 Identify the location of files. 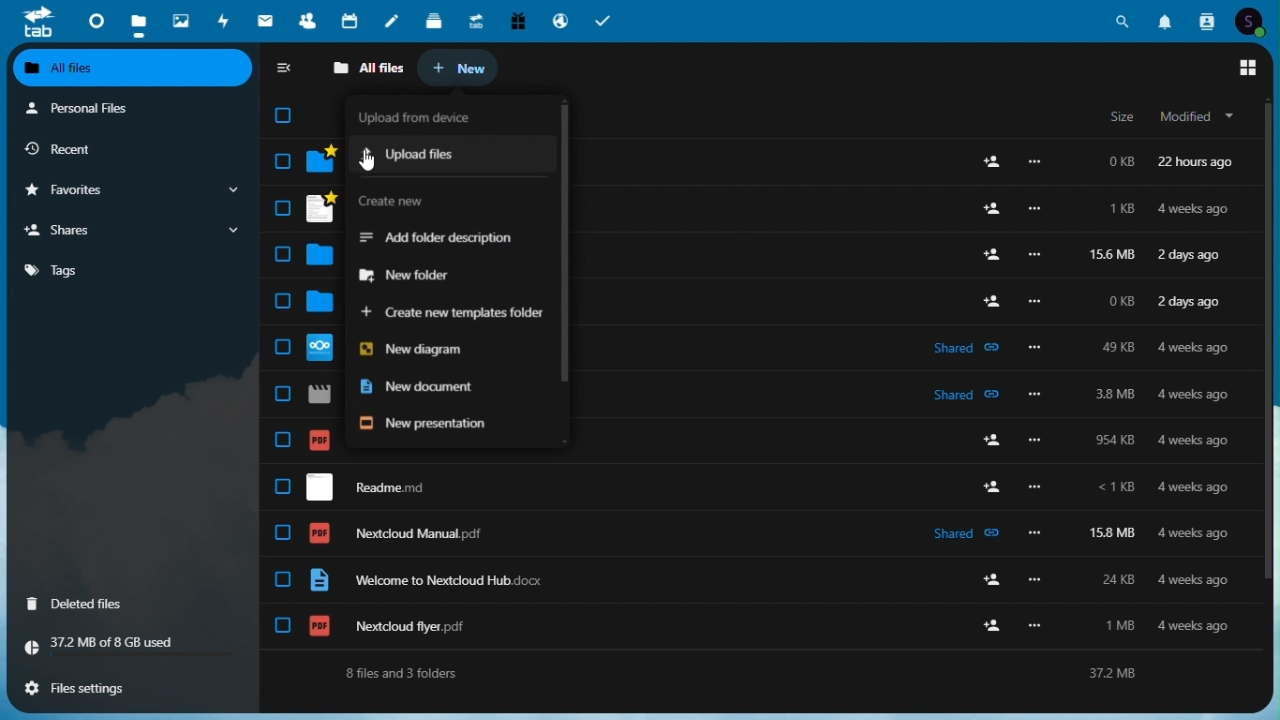
(138, 21).